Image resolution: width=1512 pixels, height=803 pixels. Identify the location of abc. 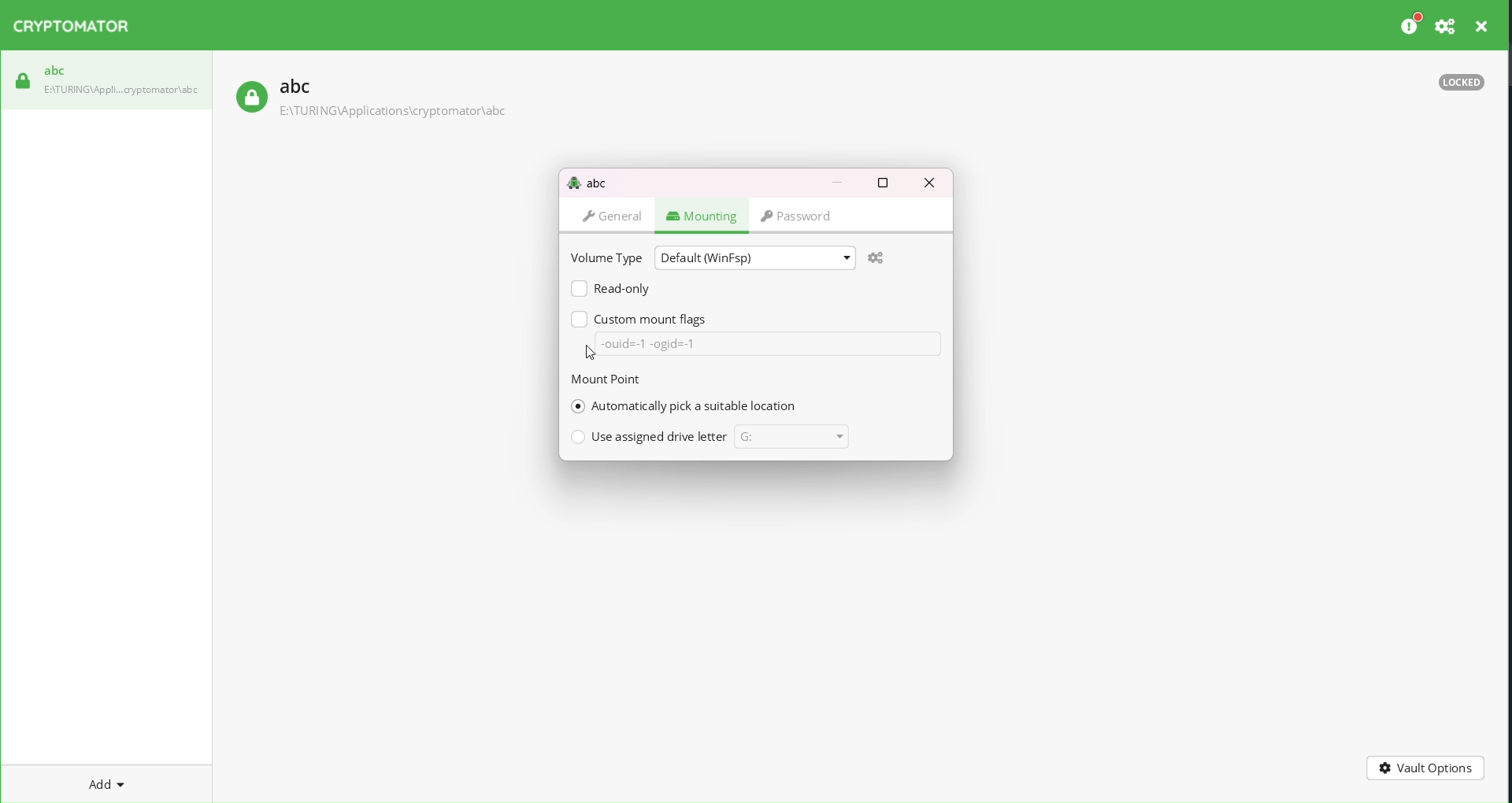
(295, 86).